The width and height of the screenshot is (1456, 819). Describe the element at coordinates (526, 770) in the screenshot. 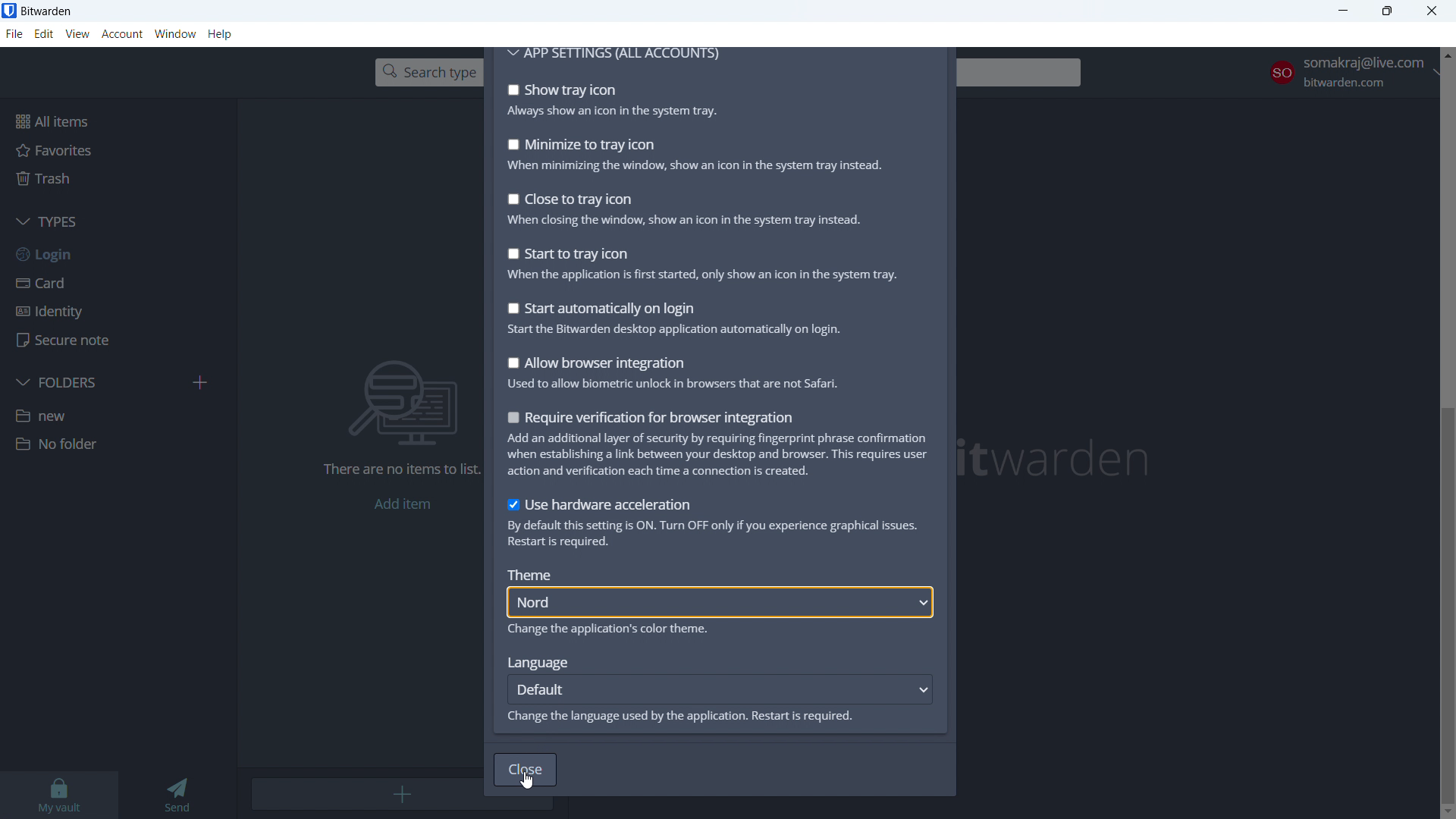

I see `close` at that location.